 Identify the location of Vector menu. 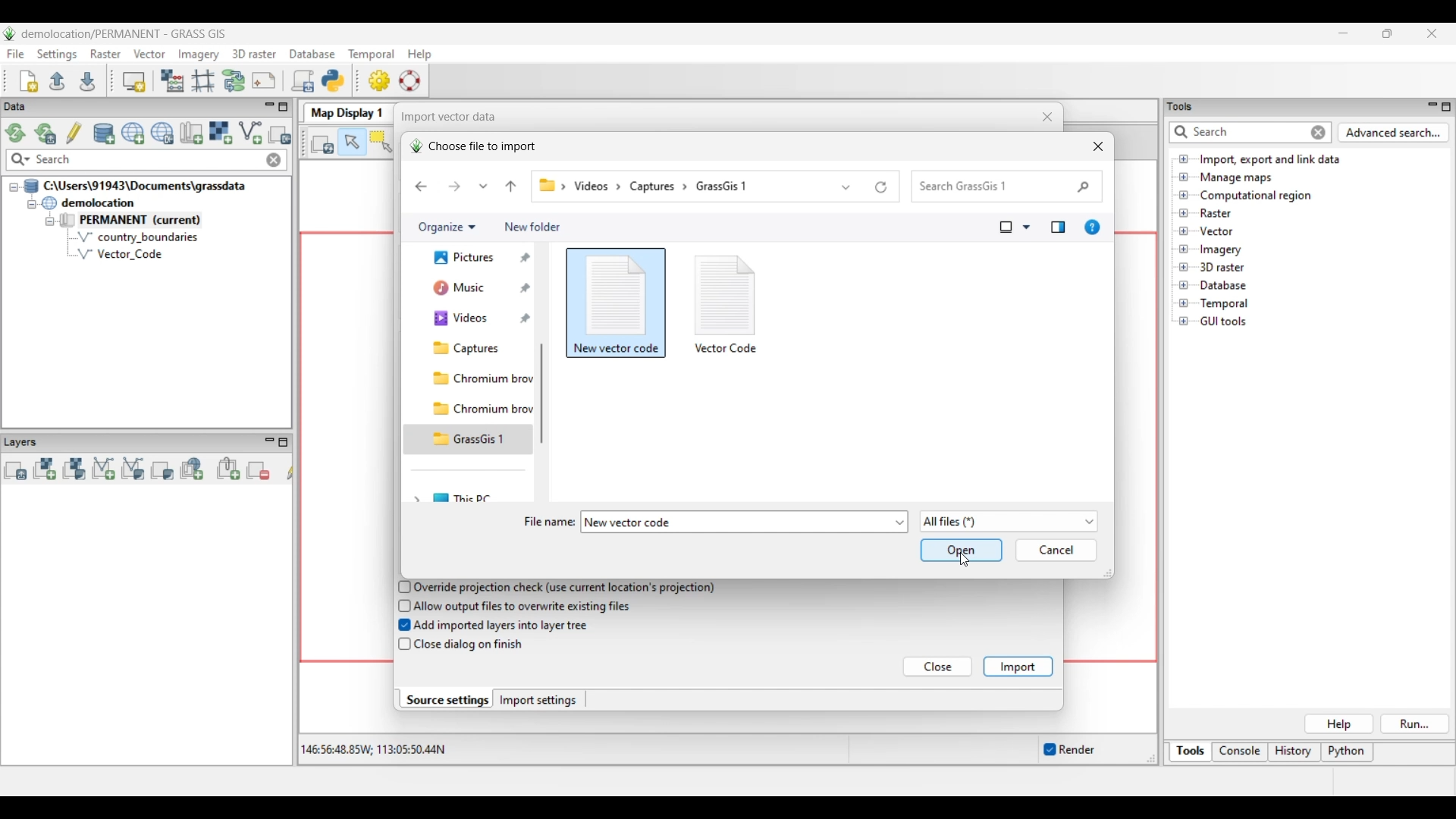
(149, 54).